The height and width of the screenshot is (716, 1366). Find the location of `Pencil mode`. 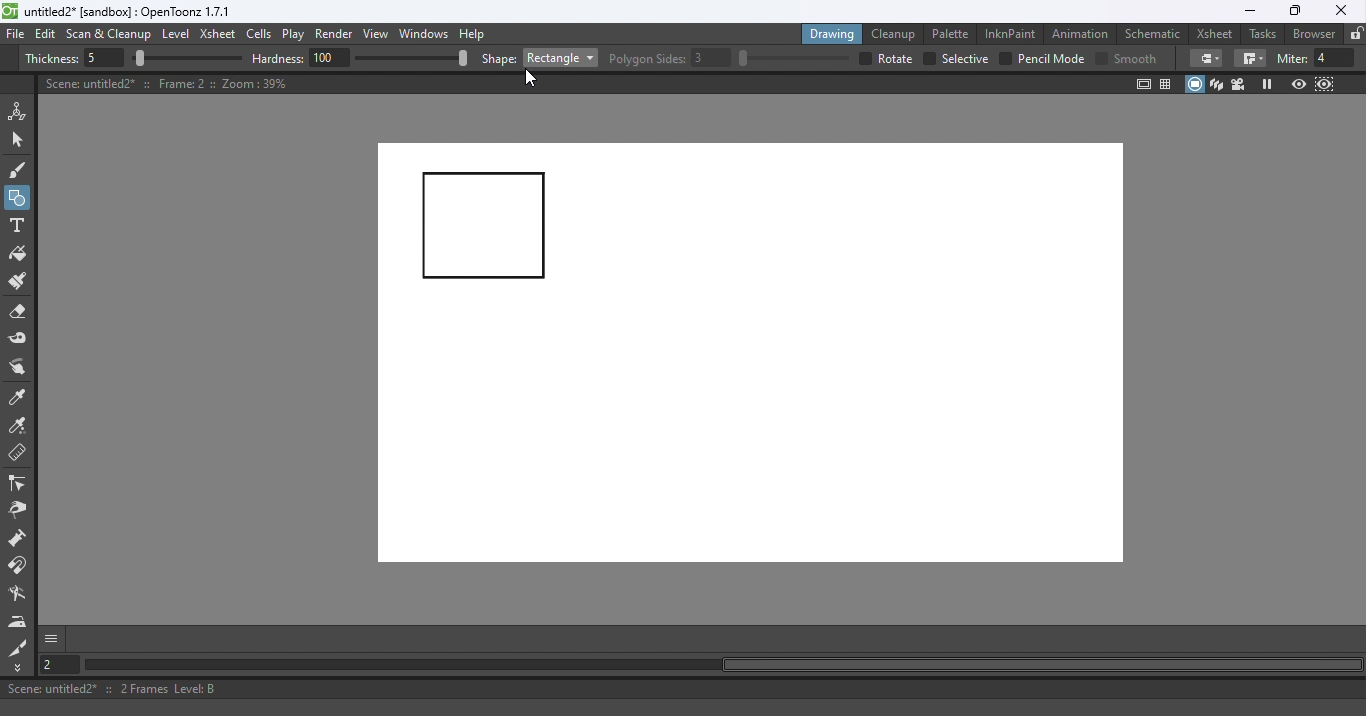

Pencil mode is located at coordinates (1050, 59).